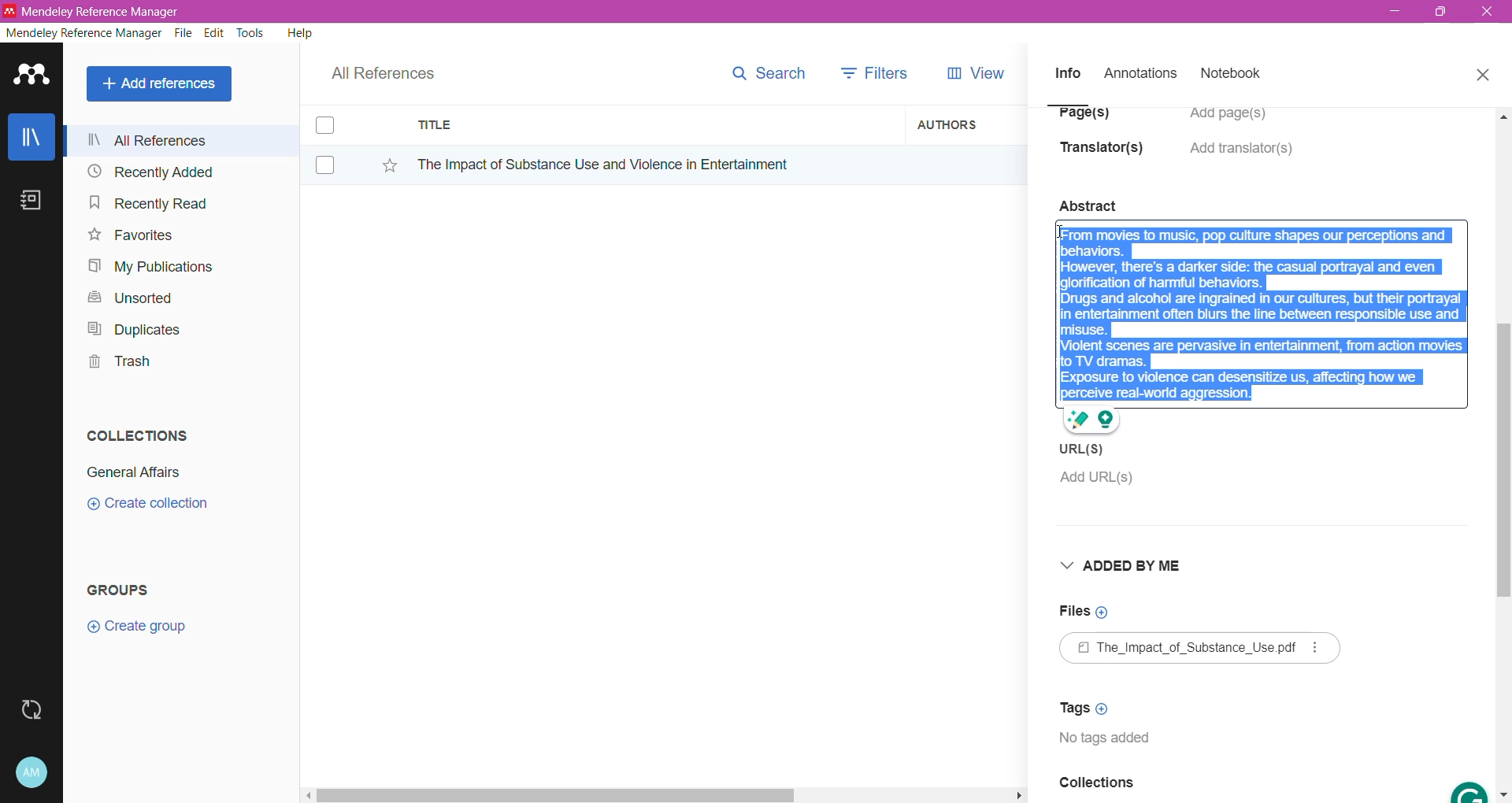 The image size is (1512, 803). Describe the element at coordinates (653, 164) in the screenshot. I see `Reference Title` at that location.